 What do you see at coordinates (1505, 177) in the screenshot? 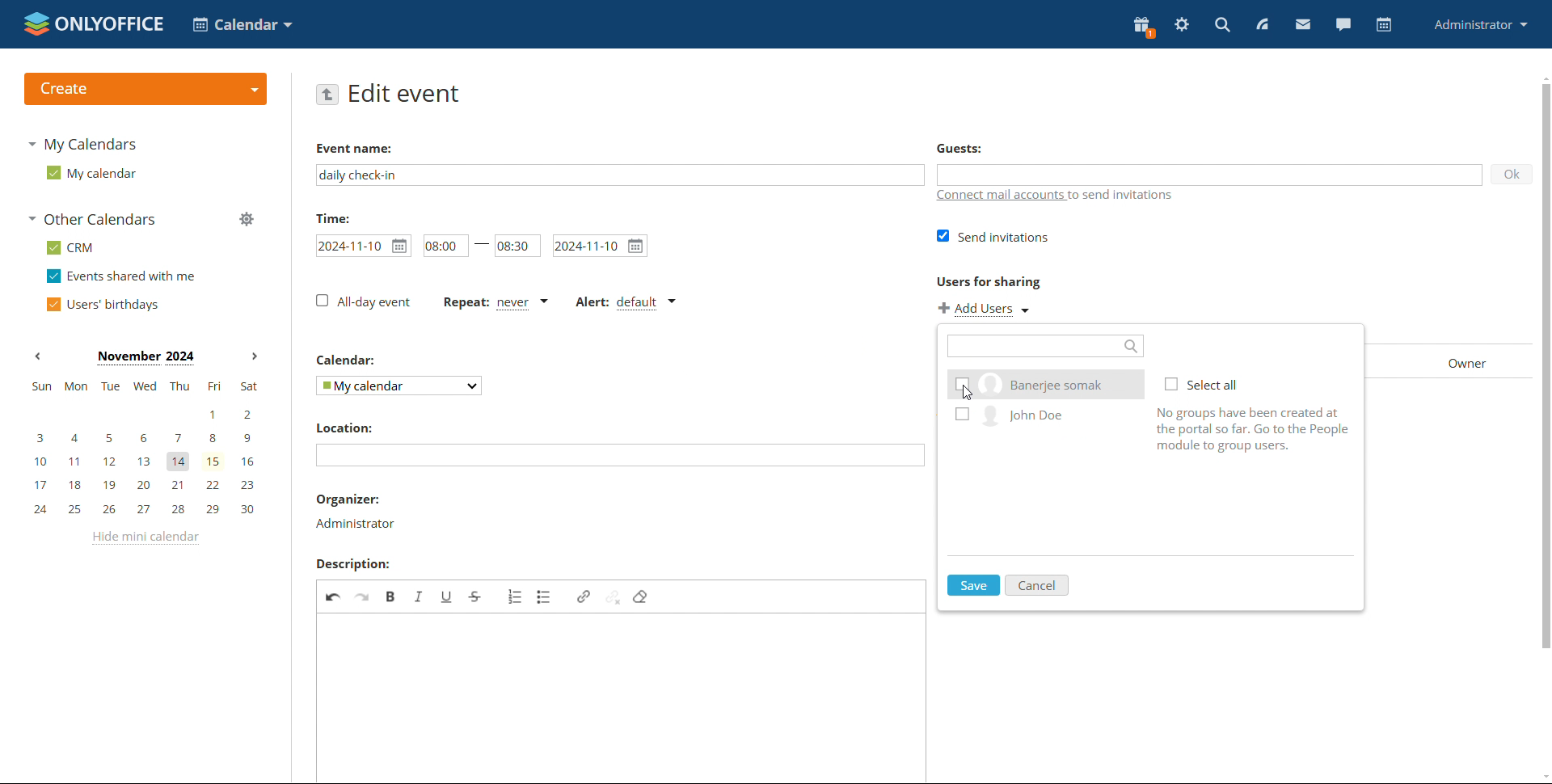
I see `ok` at bounding box center [1505, 177].